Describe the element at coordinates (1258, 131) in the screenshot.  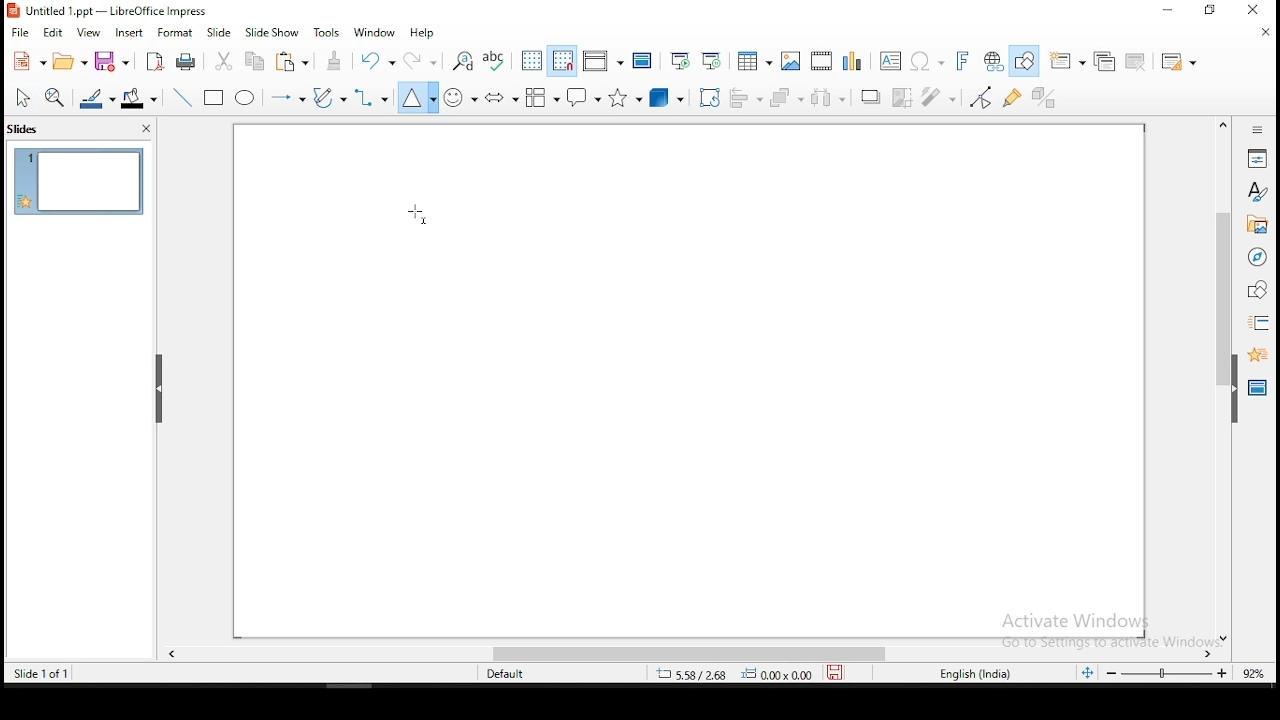
I see `sidebar settings` at that location.